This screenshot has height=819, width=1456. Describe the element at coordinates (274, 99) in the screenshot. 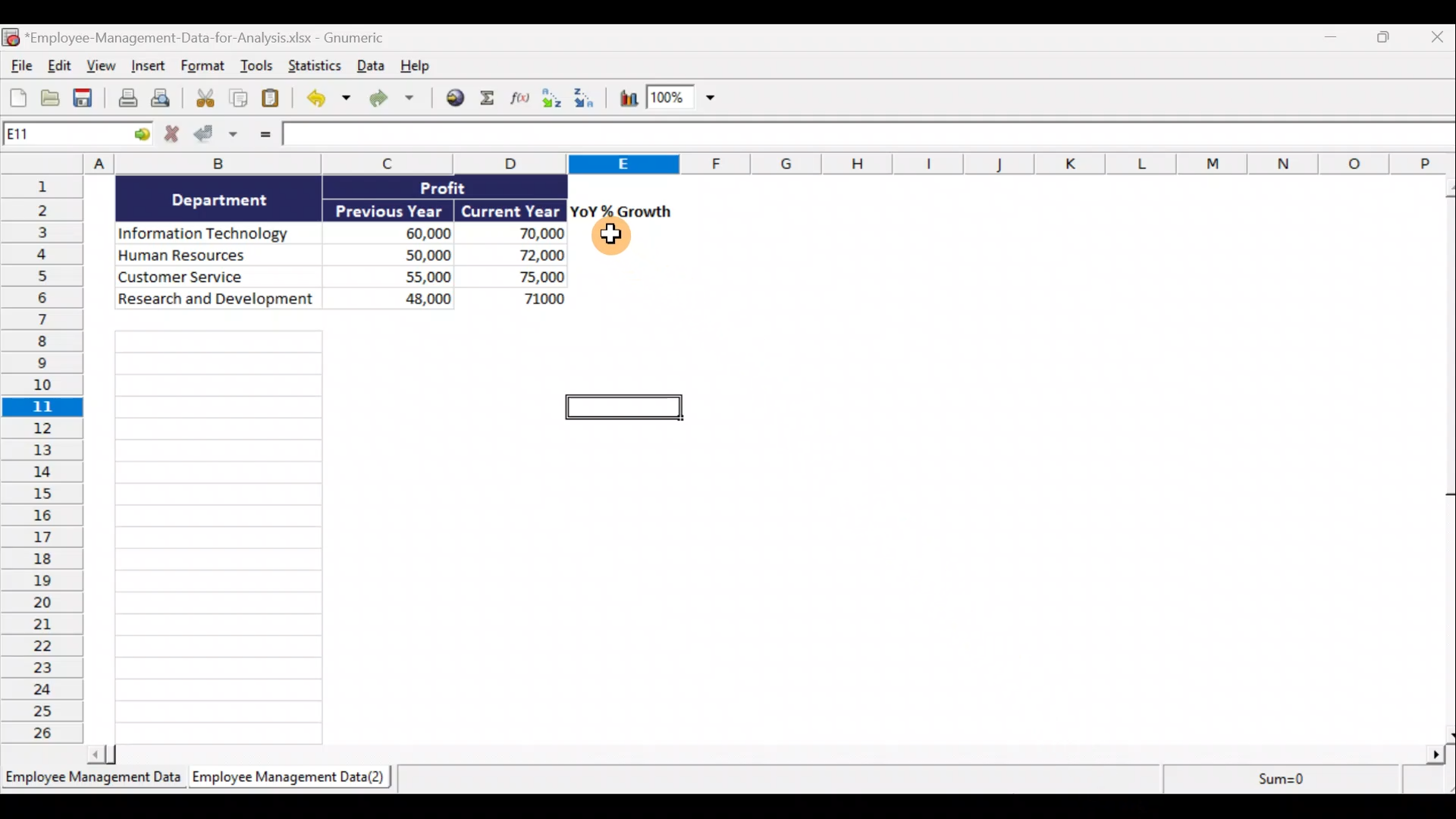

I see `Paste clipboard` at that location.